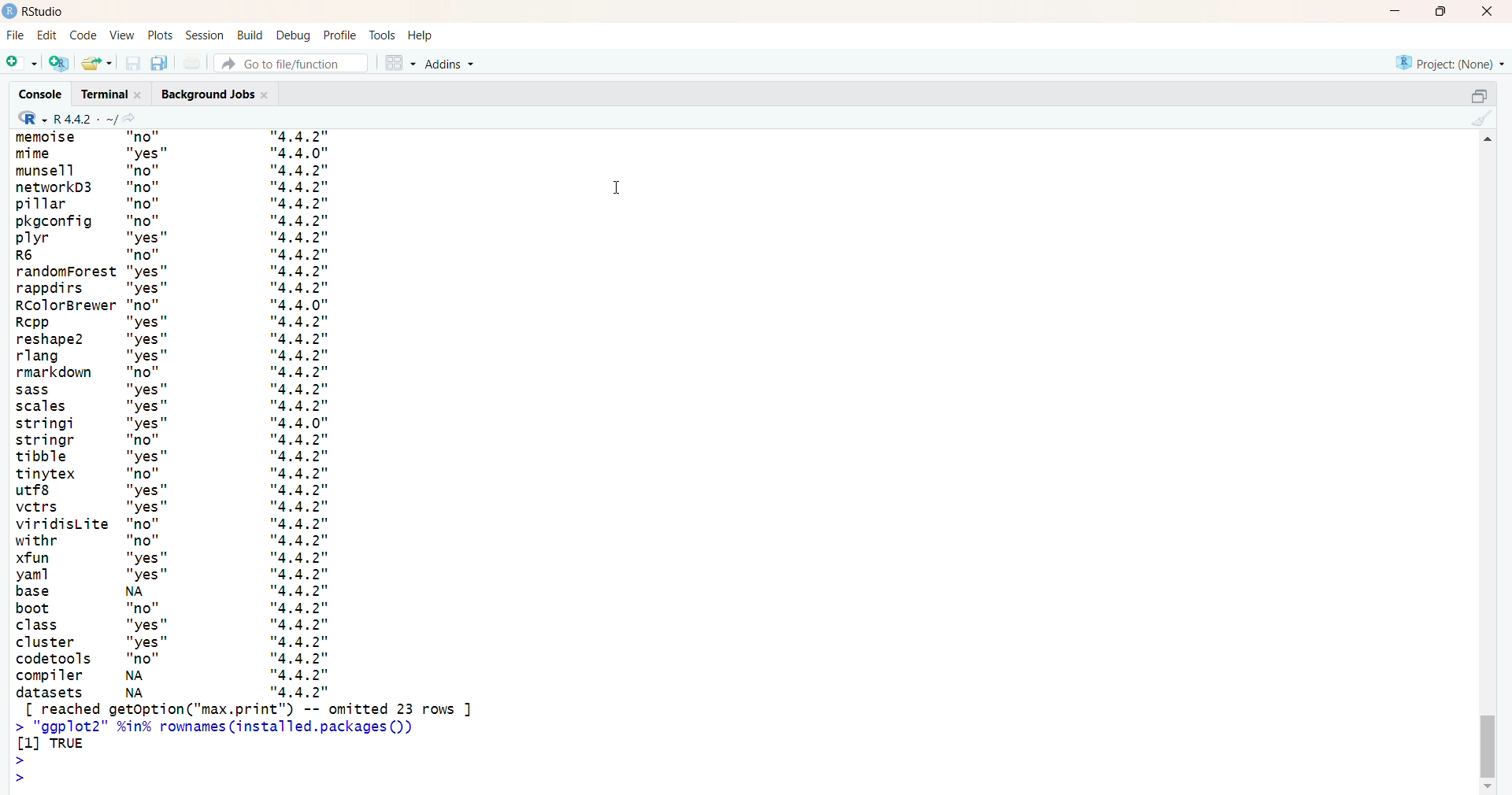 Image resolution: width=1512 pixels, height=795 pixels. Describe the element at coordinates (83, 35) in the screenshot. I see `code` at that location.